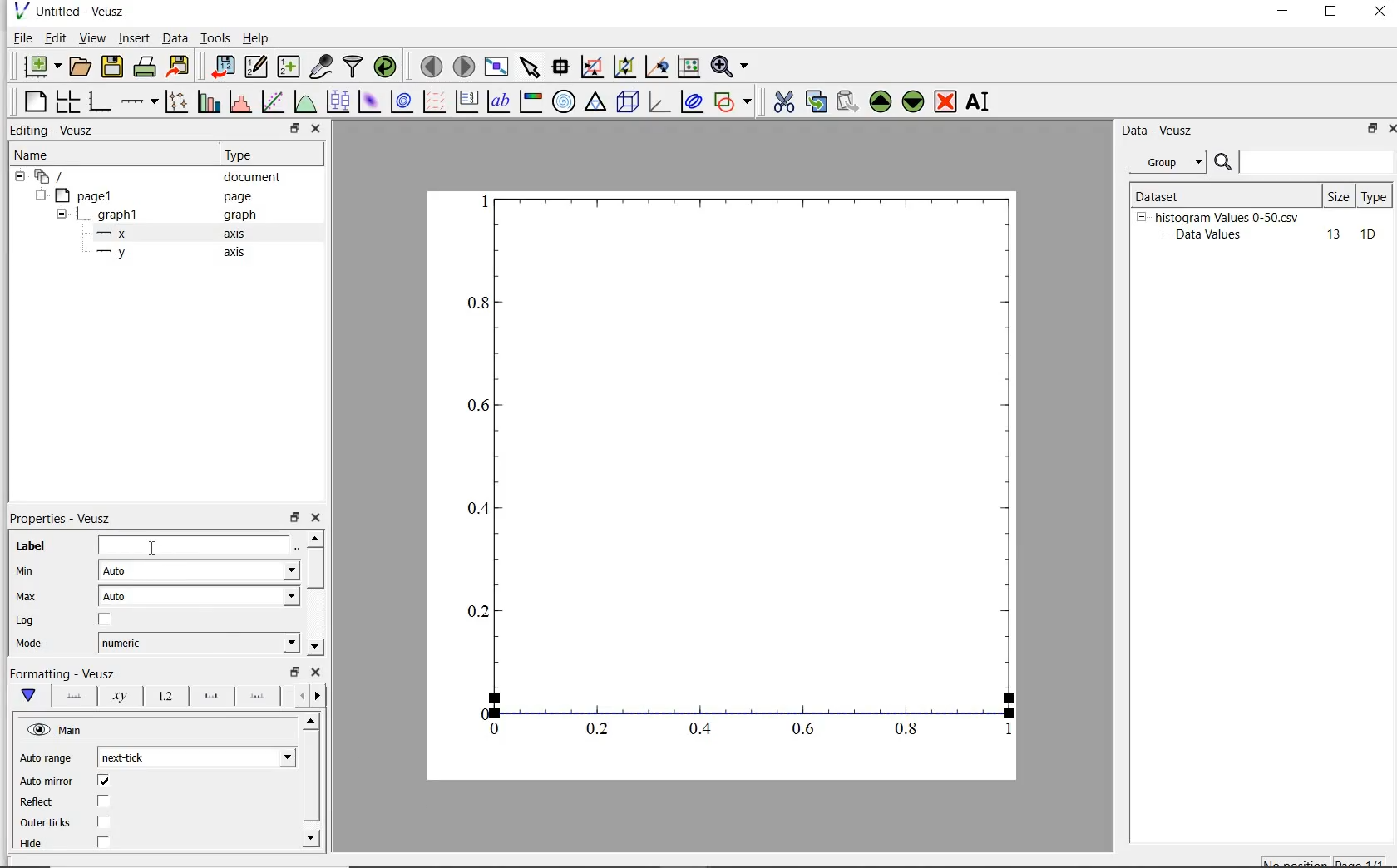 Image resolution: width=1397 pixels, height=868 pixels. What do you see at coordinates (155, 547) in the screenshot?
I see `cursor` at bounding box center [155, 547].